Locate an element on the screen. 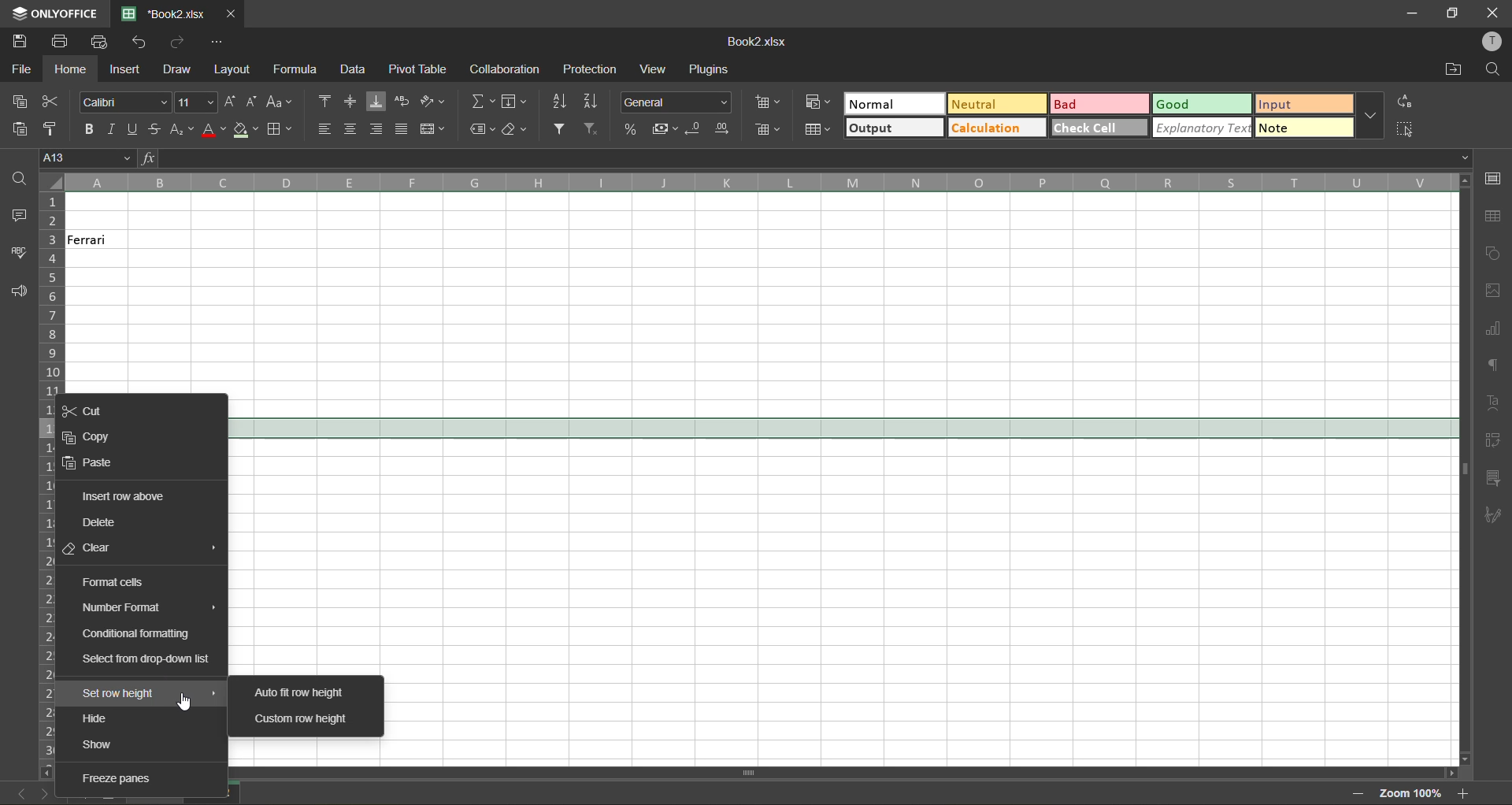 The width and height of the screenshot is (1512, 805). fill color is located at coordinates (244, 131).